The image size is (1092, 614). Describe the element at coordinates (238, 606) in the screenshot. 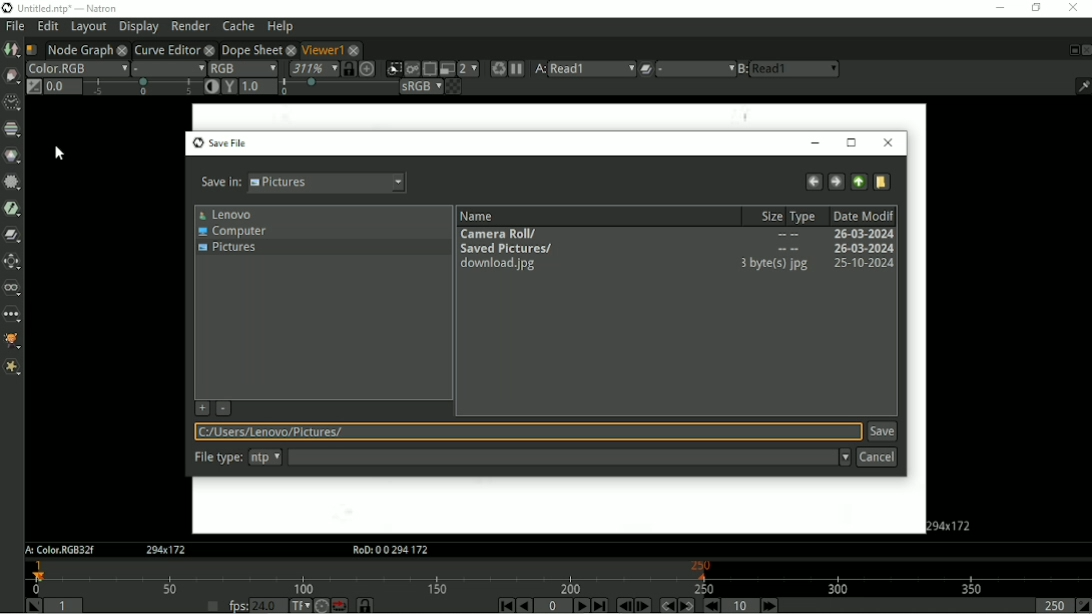

I see `fps` at that location.